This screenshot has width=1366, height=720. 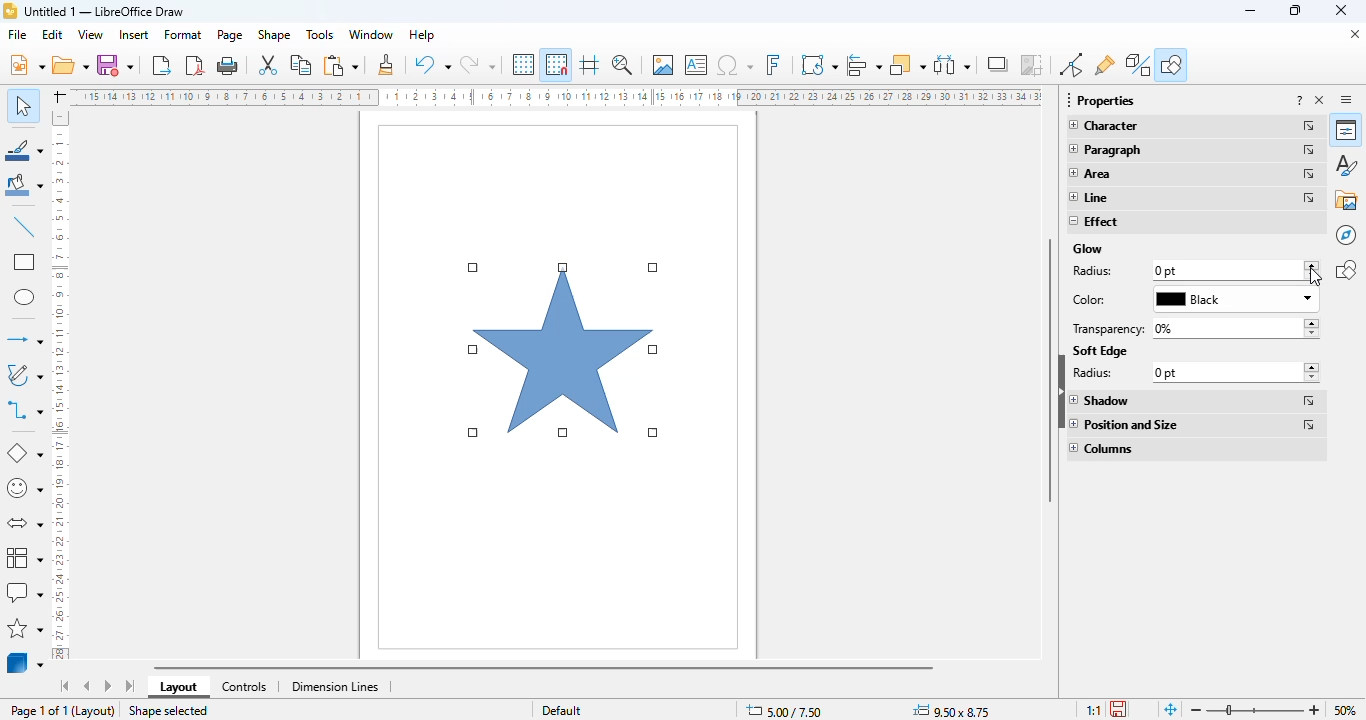 What do you see at coordinates (696, 65) in the screenshot?
I see `insert text box` at bounding box center [696, 65].